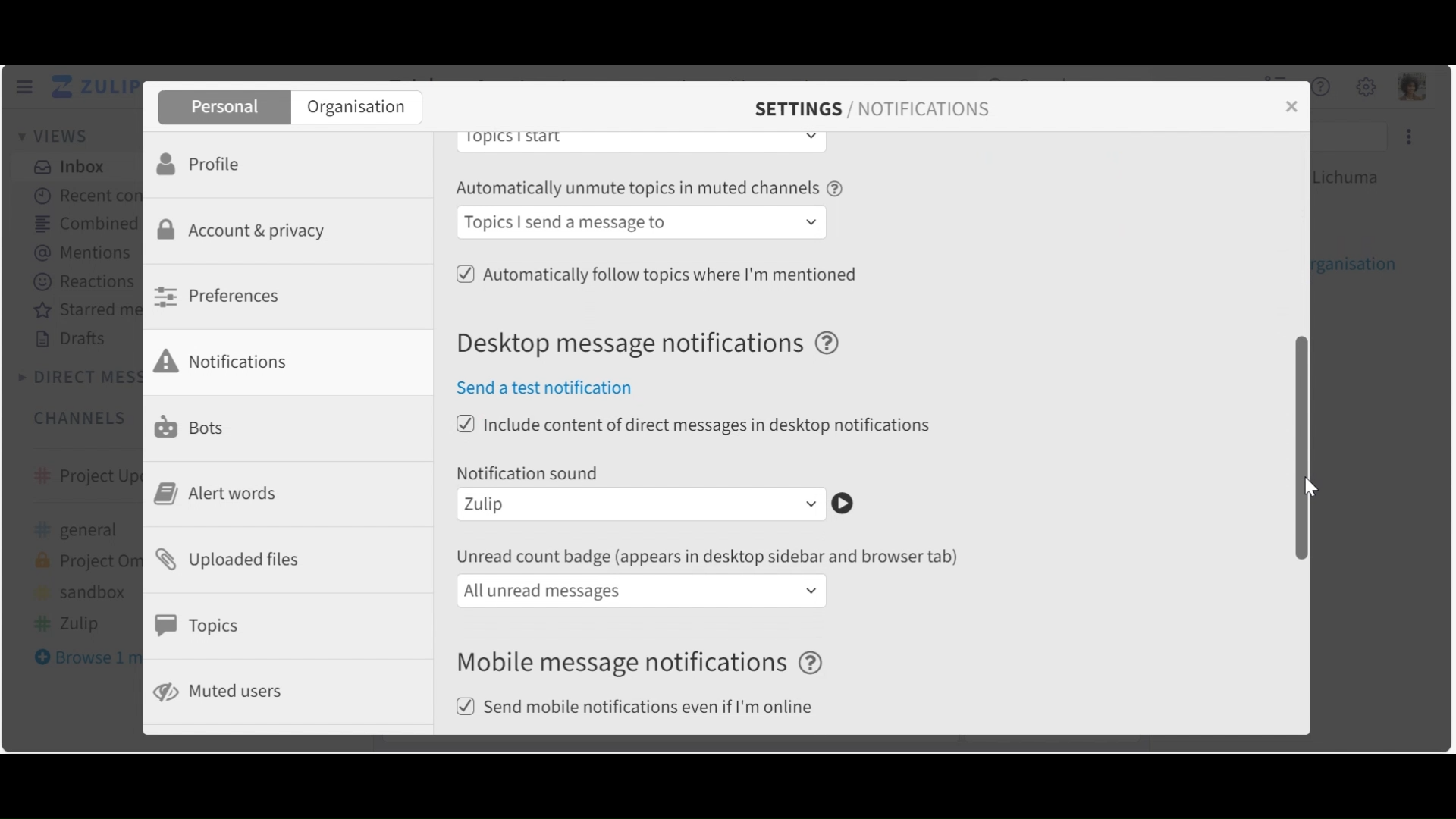  Describe the element at coordinates (204, 162) in the screenshot. I see `Profile` at that location.